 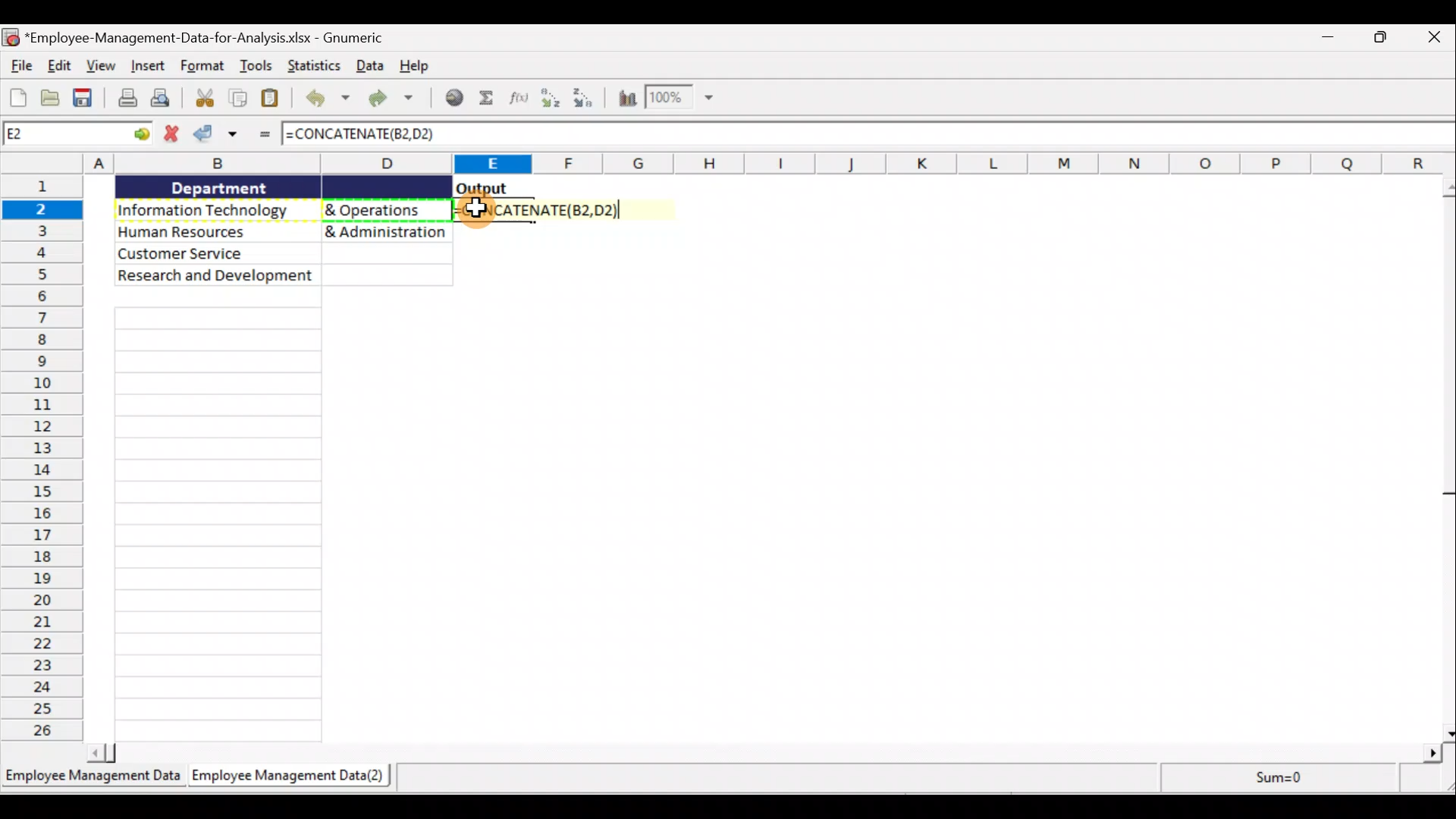 What do you see at coordinates (486, 96) in the screenshot?
I see `Sum into current cell` at bounding box center [486, 96].